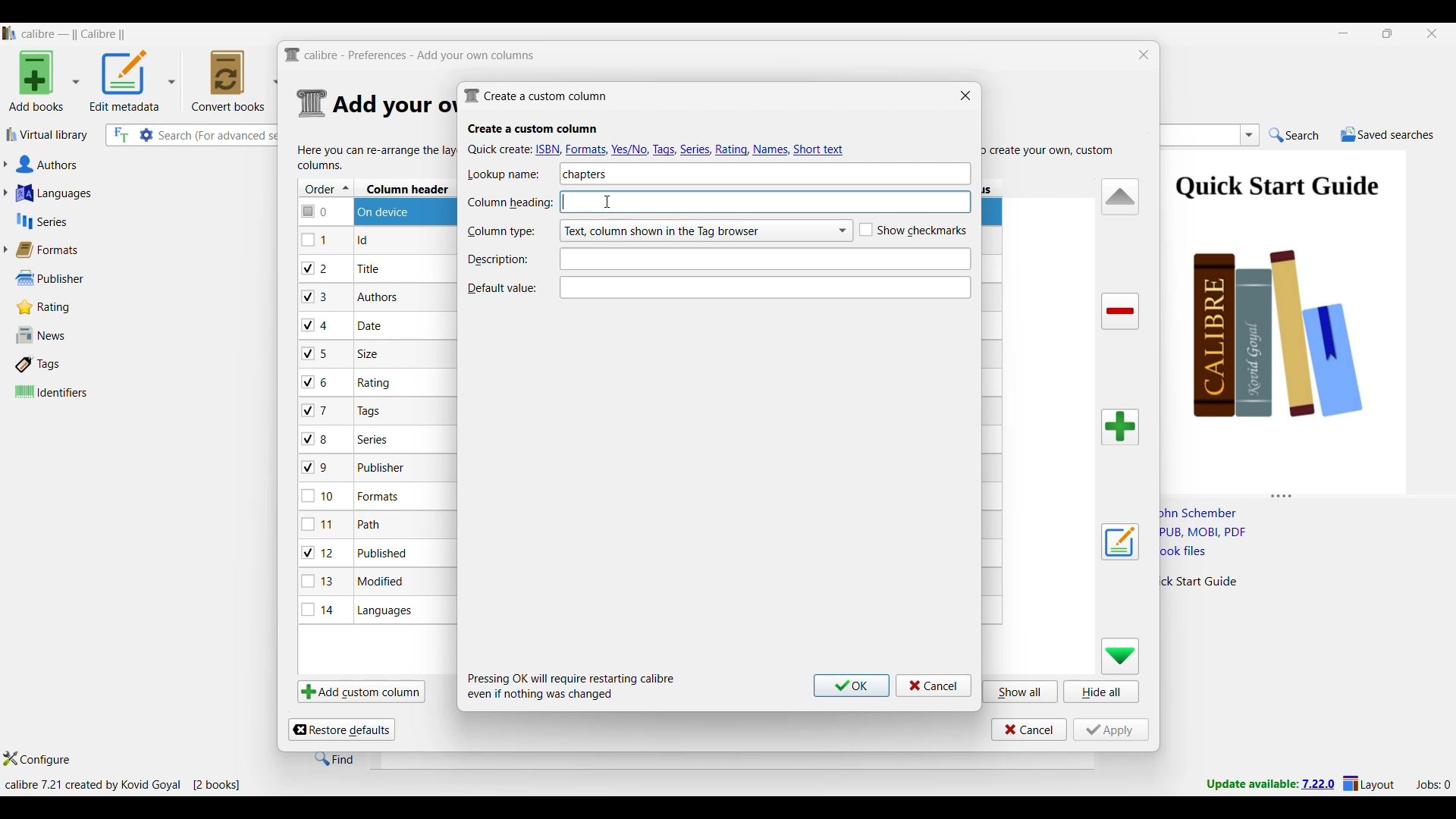 The image size is (1456, 819). What do you see at coordinates (1120, 427) in the screenshot?
I see `Add column` at bounding box center [1120, 427].